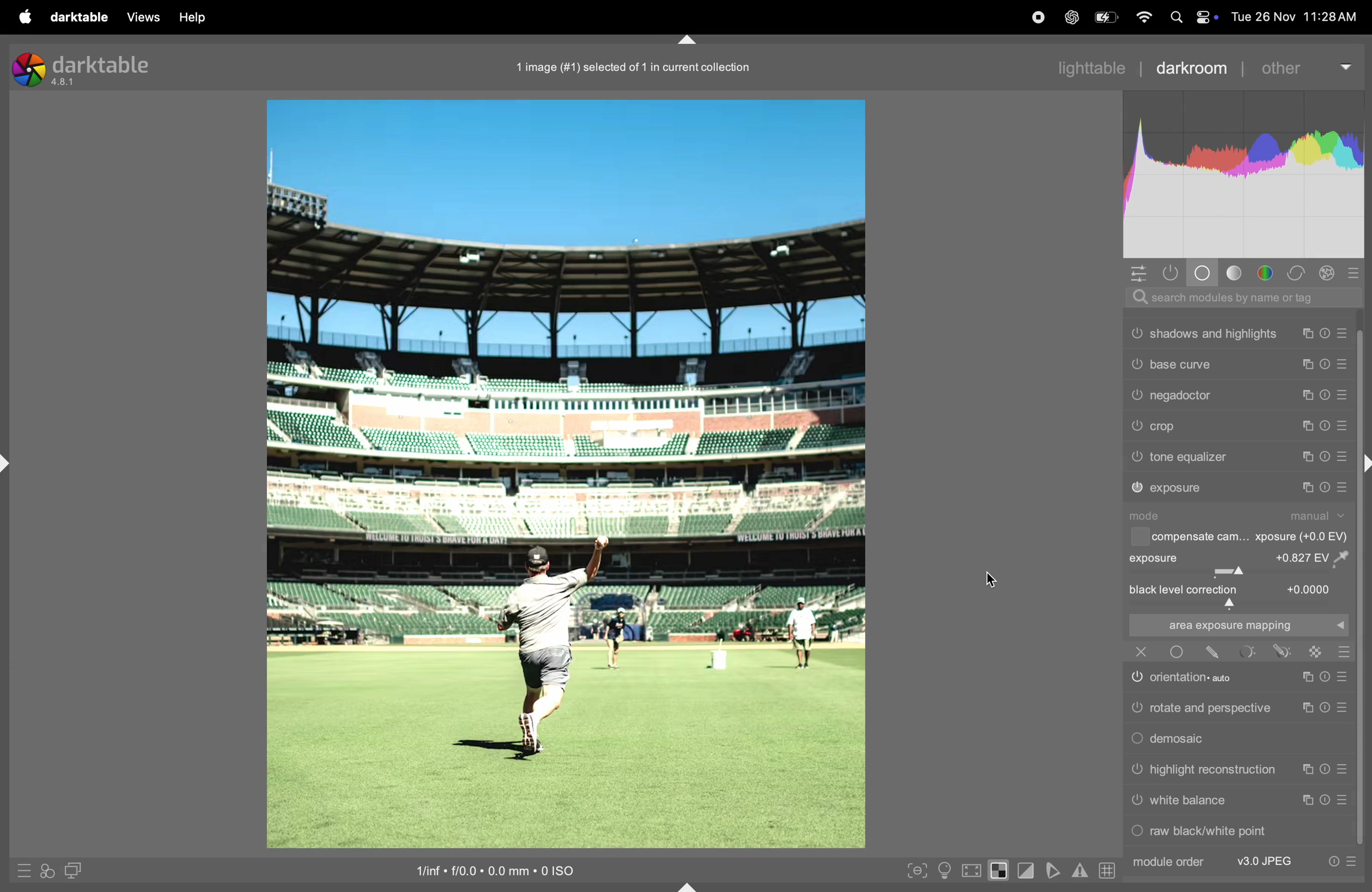  Describe the element at coordinates (1136, 679) in the screenshot. I see `Switch on or off` at that location.